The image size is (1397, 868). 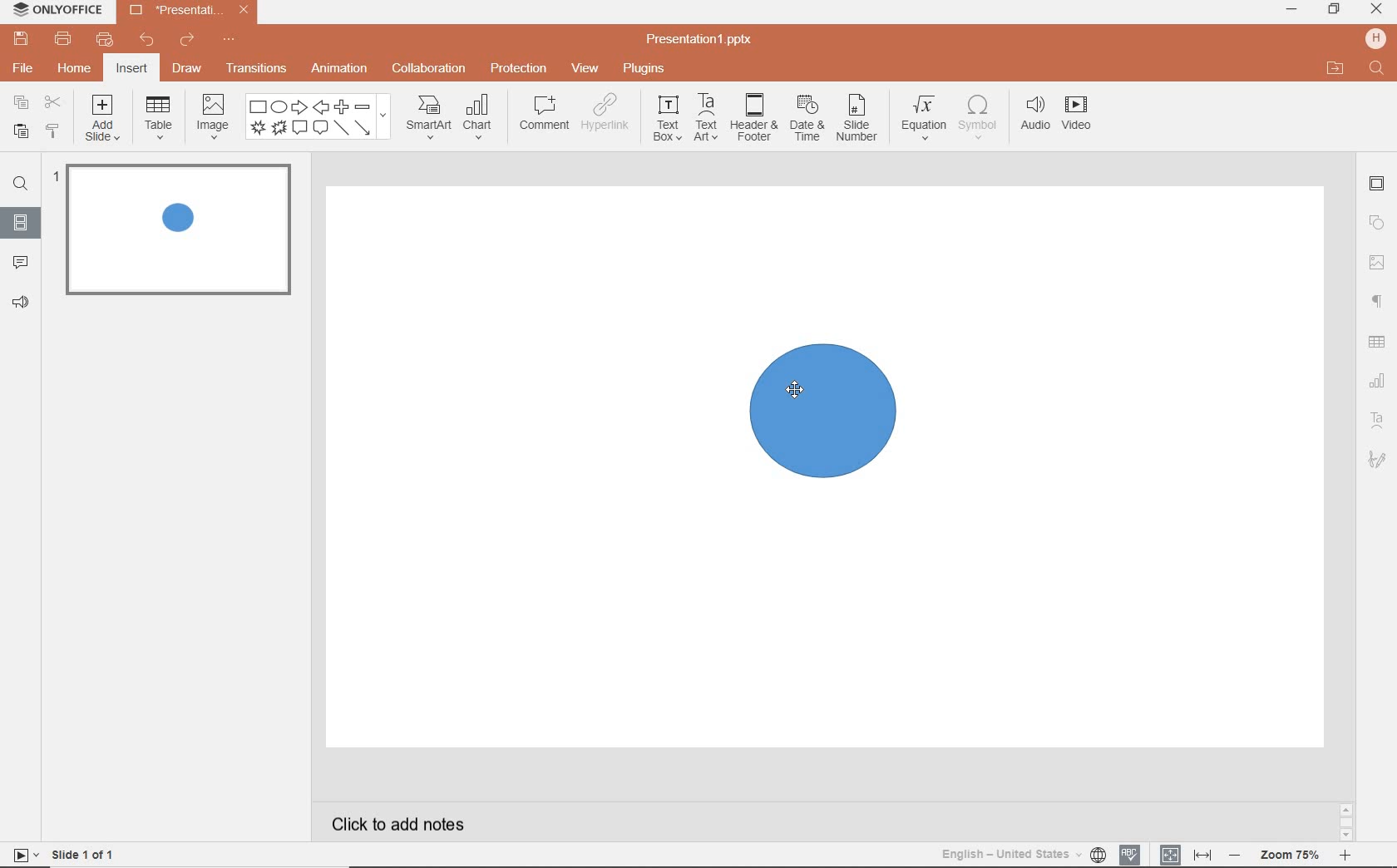 I want to click on paste, so click(x=20, y=133).